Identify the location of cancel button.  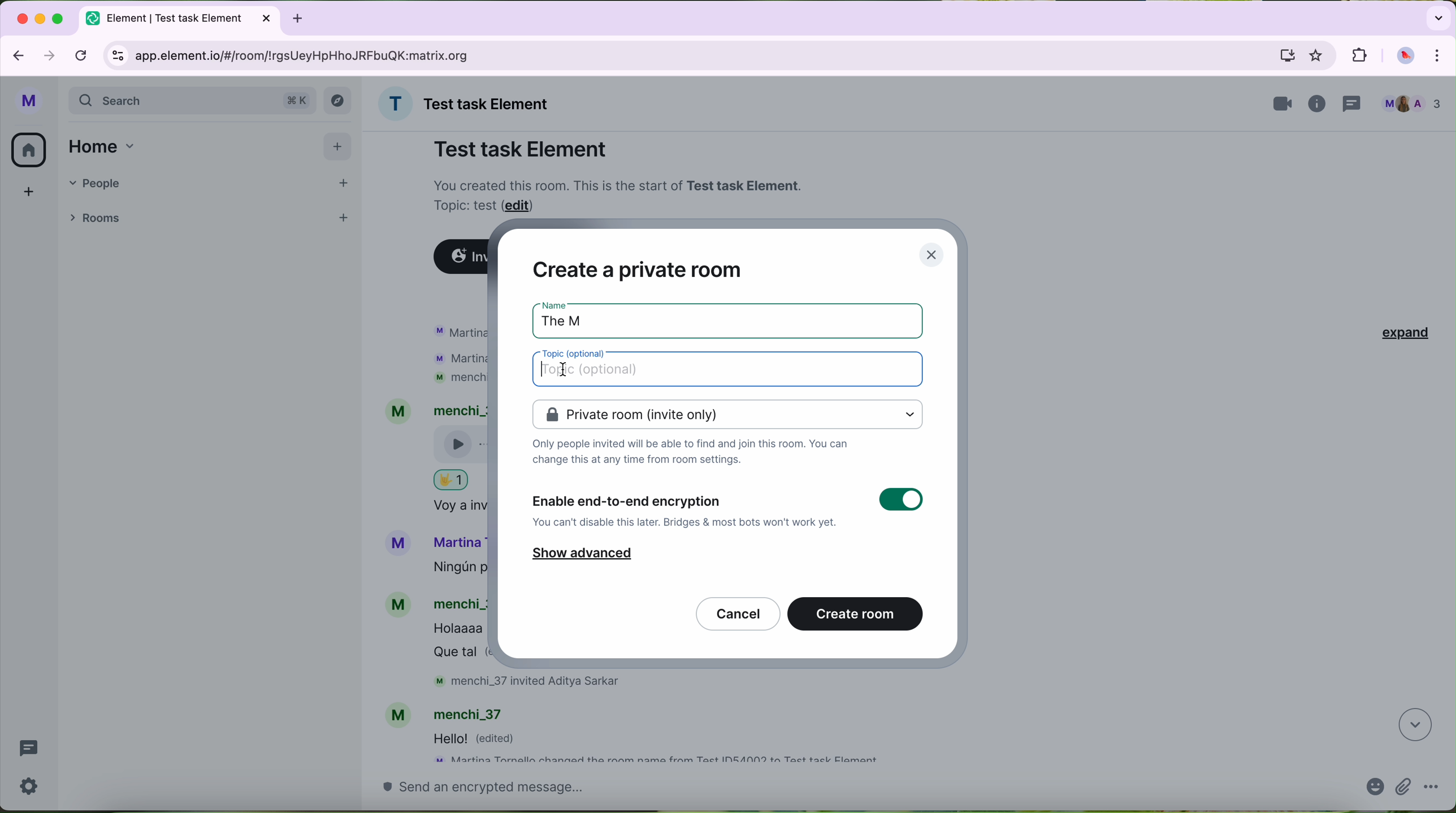
(738, 613).